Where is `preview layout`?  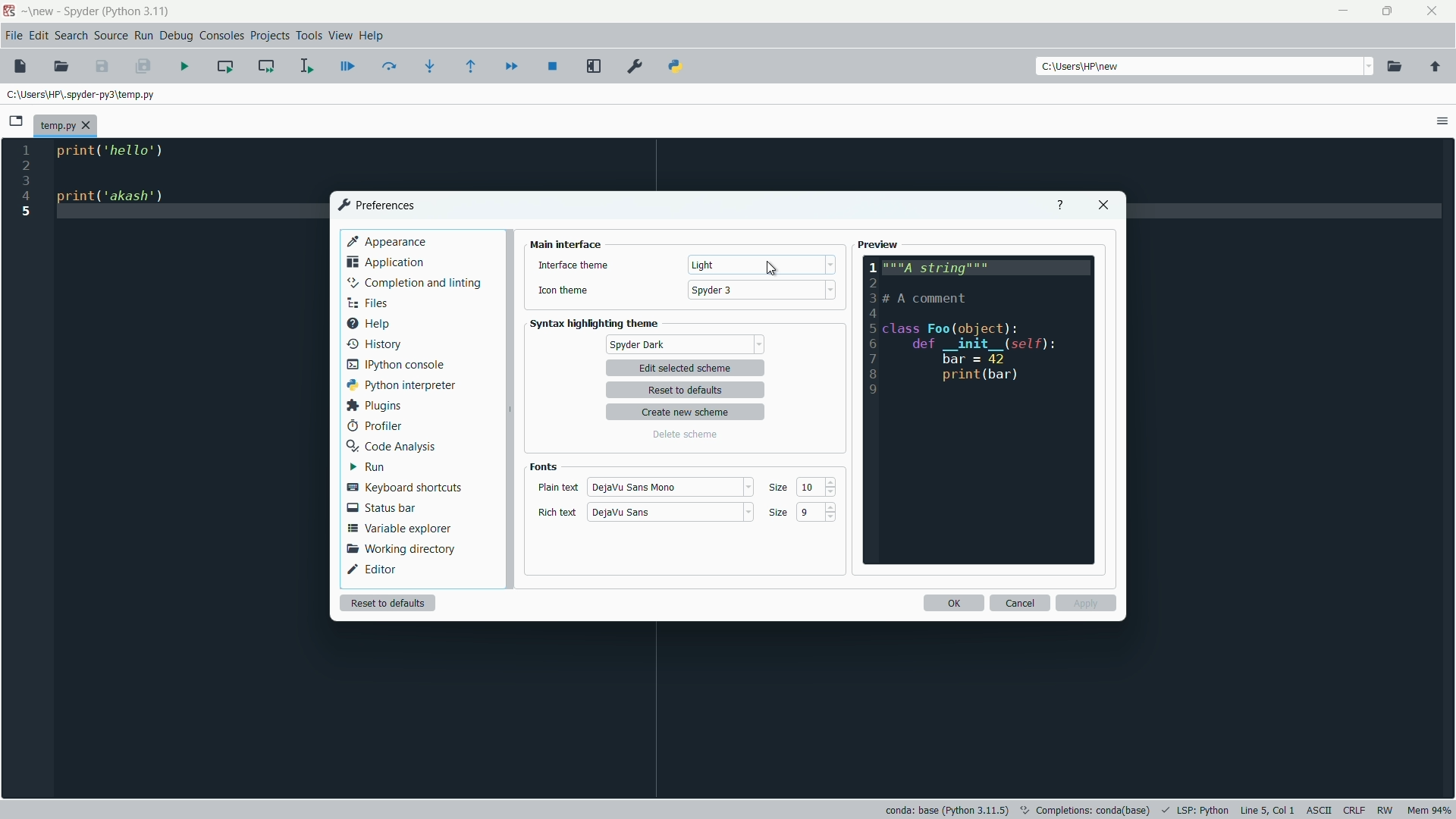
preview layout is located at coordinates (980, 413).